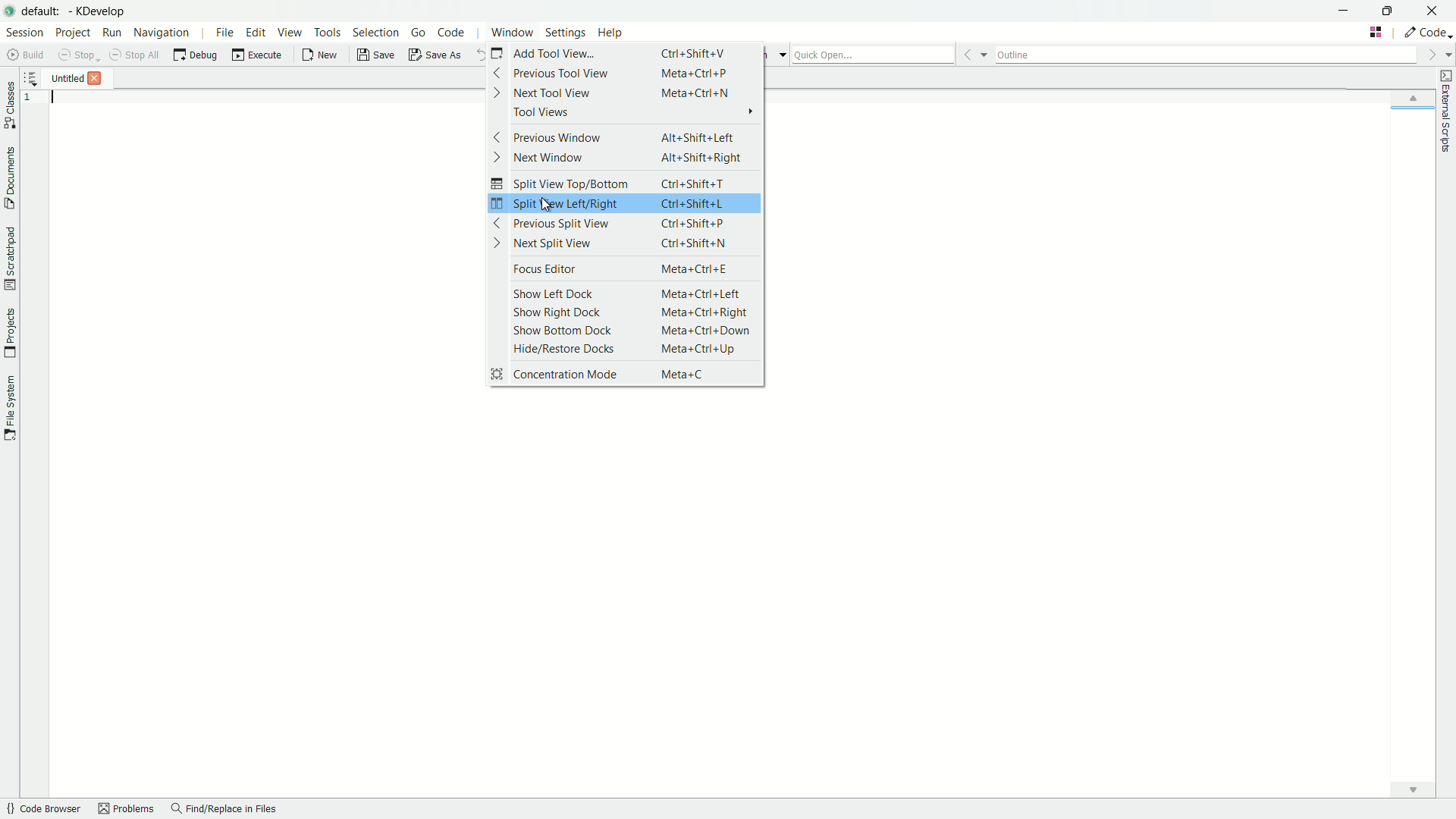  What do you see at coordinates (708, 329) in the screenshot?
I see `Meta +Ctrl+ Down` at bounding box center [708, 329].